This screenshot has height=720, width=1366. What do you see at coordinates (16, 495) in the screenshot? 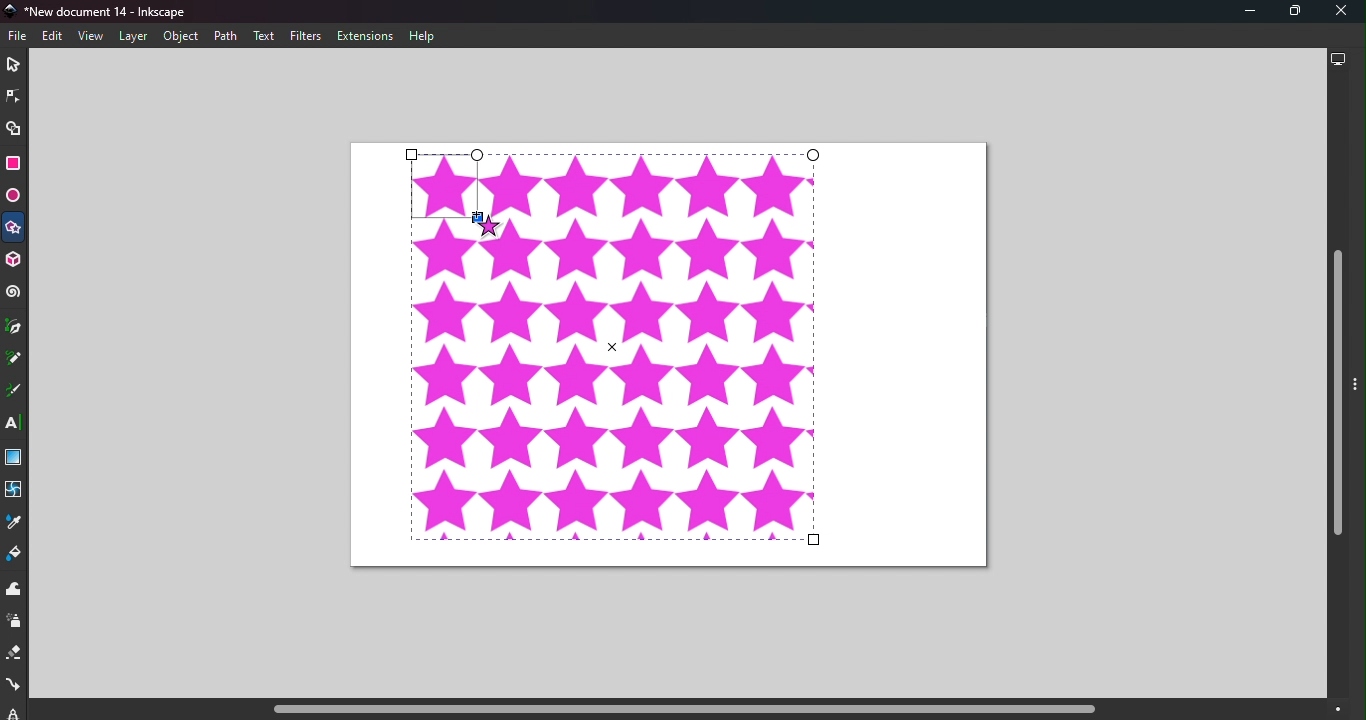
I see `Mesh tool` at bounding box center [16, 495].